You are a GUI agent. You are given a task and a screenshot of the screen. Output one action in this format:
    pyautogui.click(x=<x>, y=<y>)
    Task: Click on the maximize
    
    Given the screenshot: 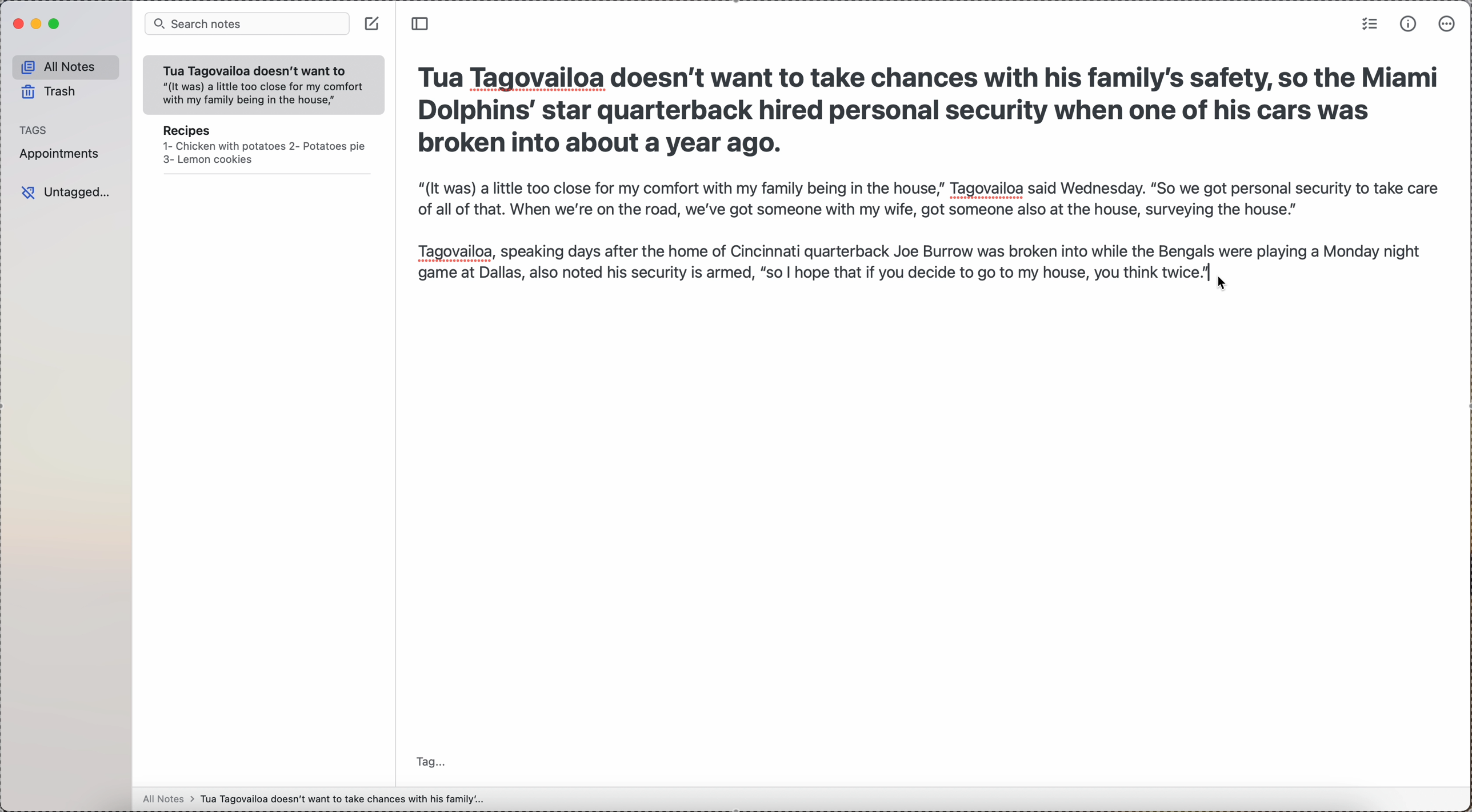 What is the action you would take?
    pyautogui.click(x=55, y=25)
    